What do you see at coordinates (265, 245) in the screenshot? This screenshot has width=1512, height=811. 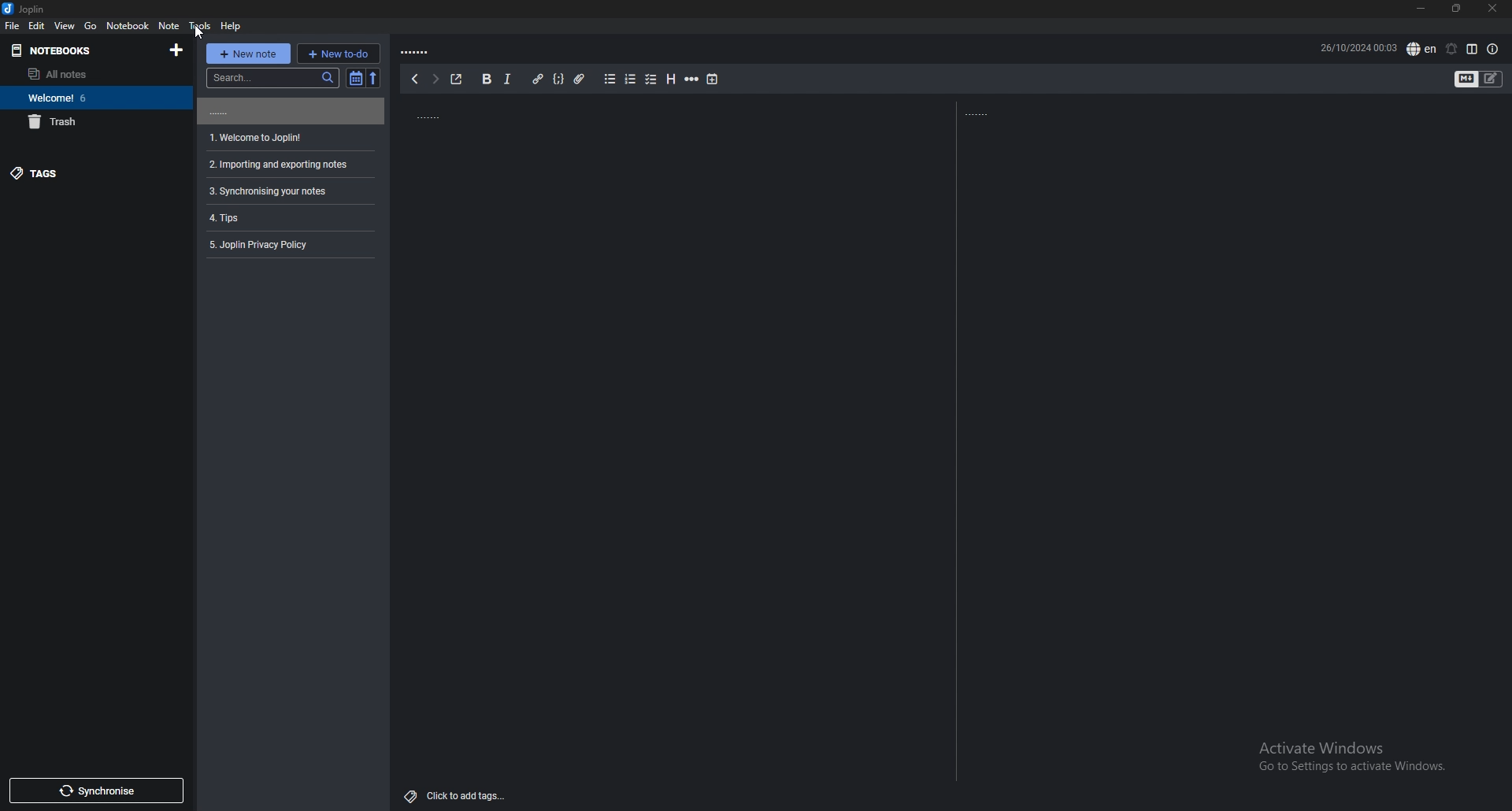 I see `5. Joplin Privacy Policy` at bounding box center [265, 245].